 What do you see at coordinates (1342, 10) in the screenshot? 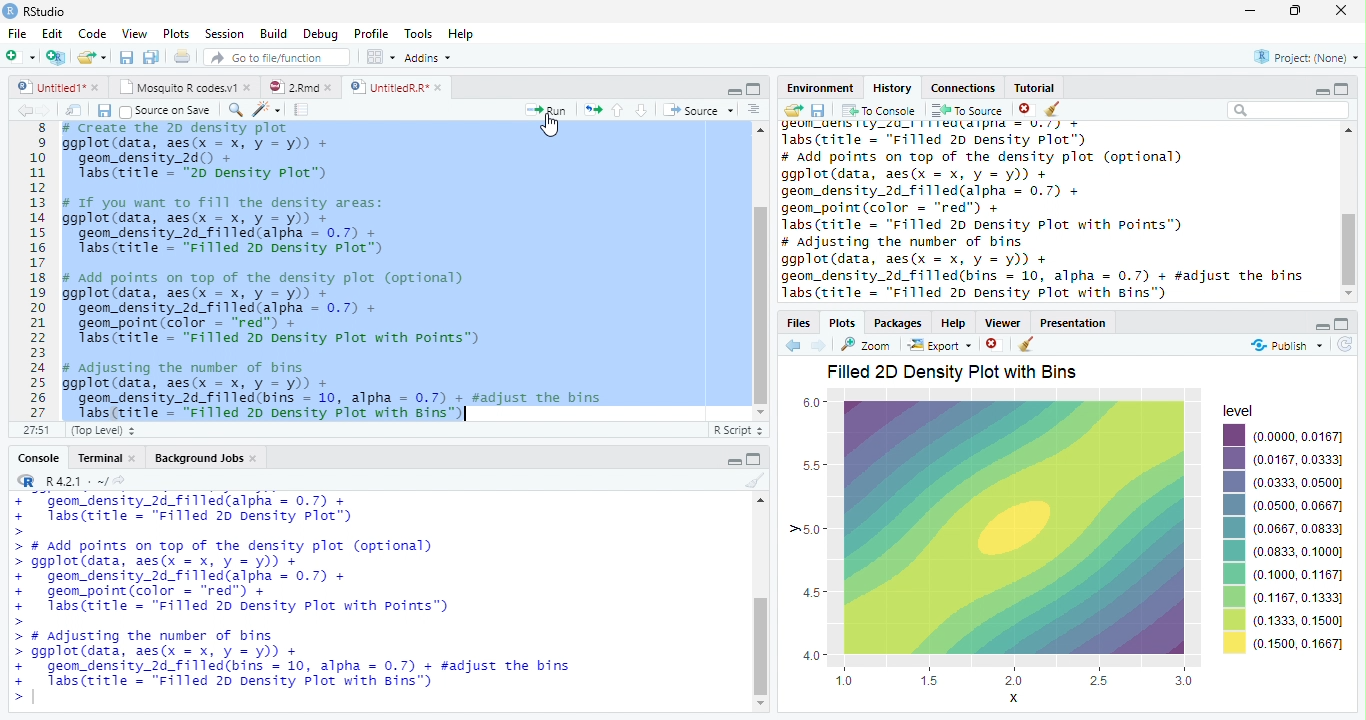
I see `close` at bounding box center [1342, 10].